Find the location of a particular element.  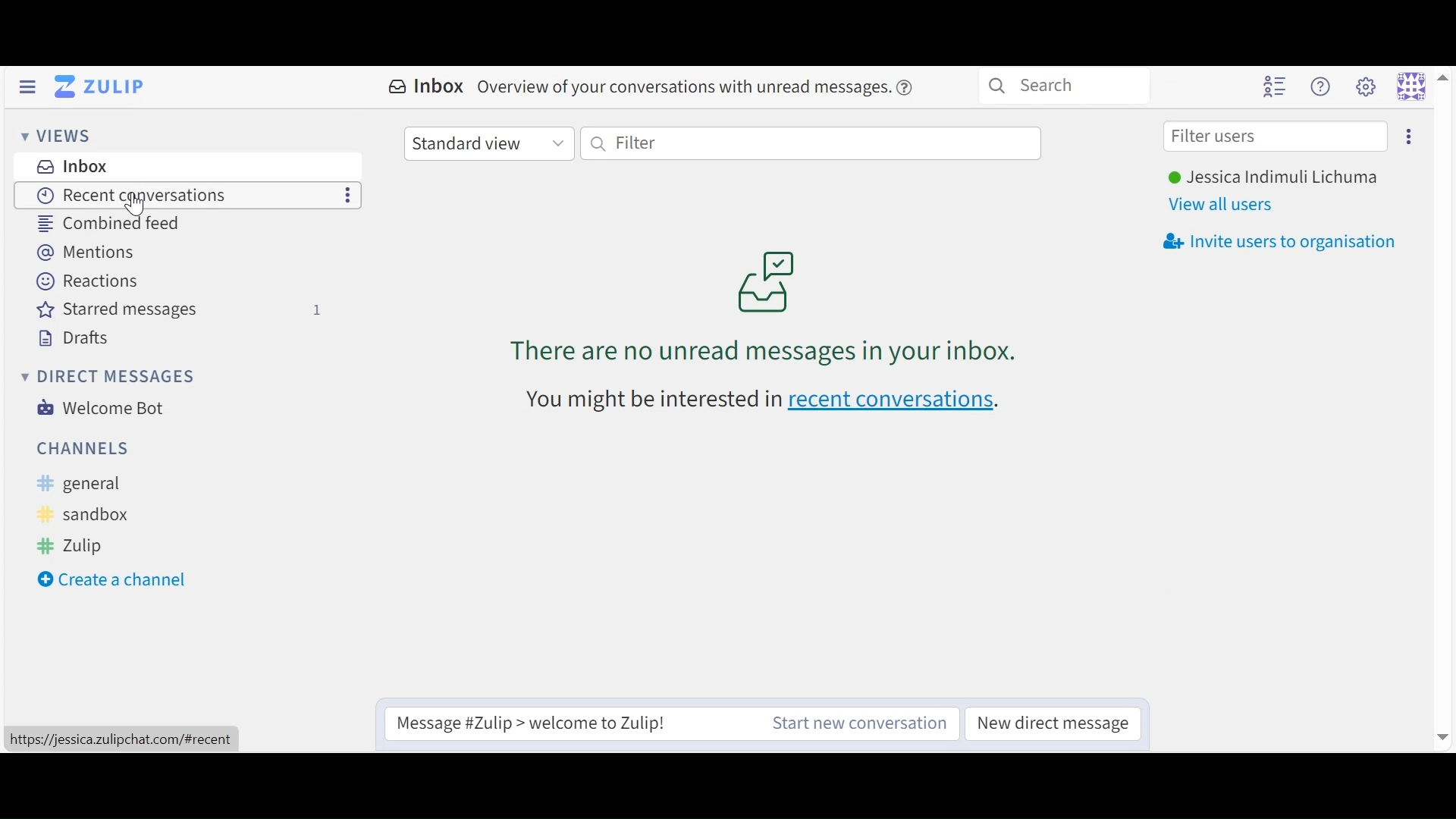

no unread messages is located at coordinates (766, 306).